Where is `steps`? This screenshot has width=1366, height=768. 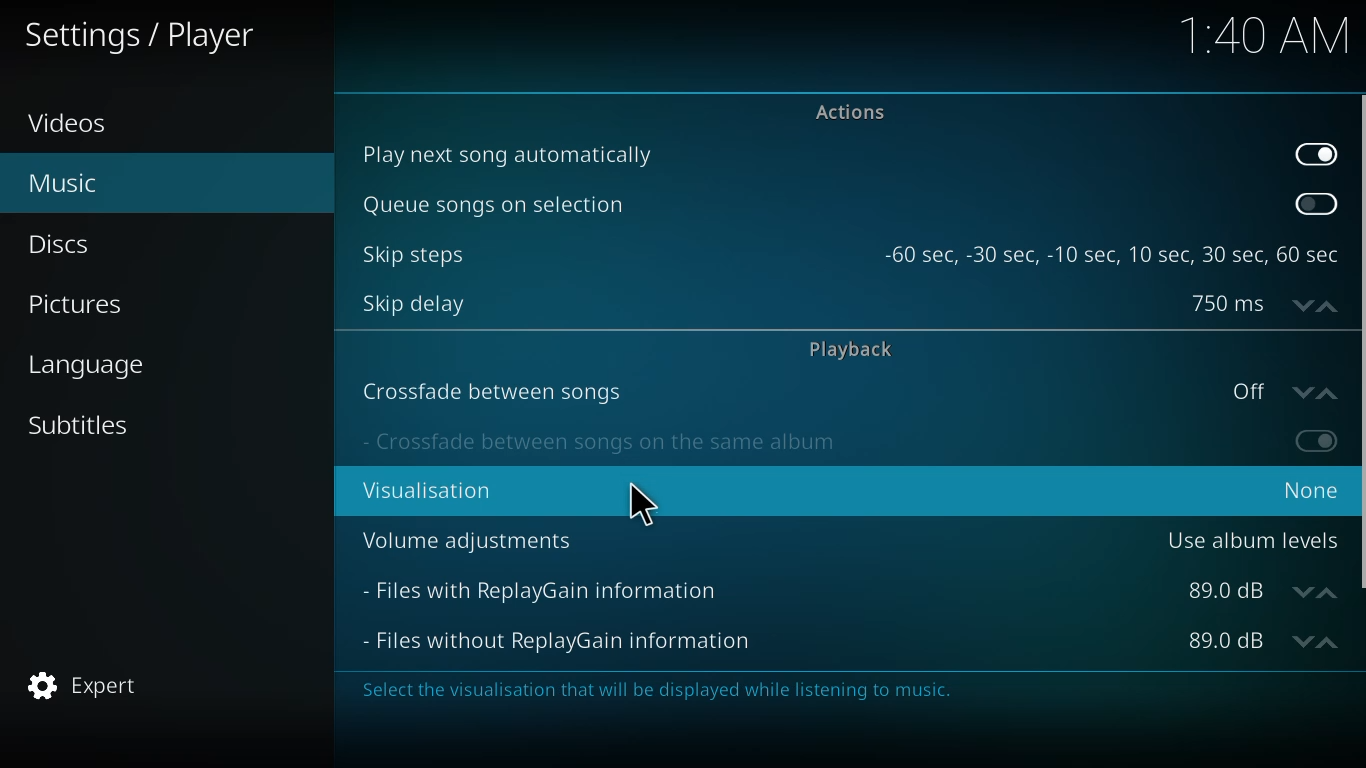 steps is located at coordinates (1114, 254).